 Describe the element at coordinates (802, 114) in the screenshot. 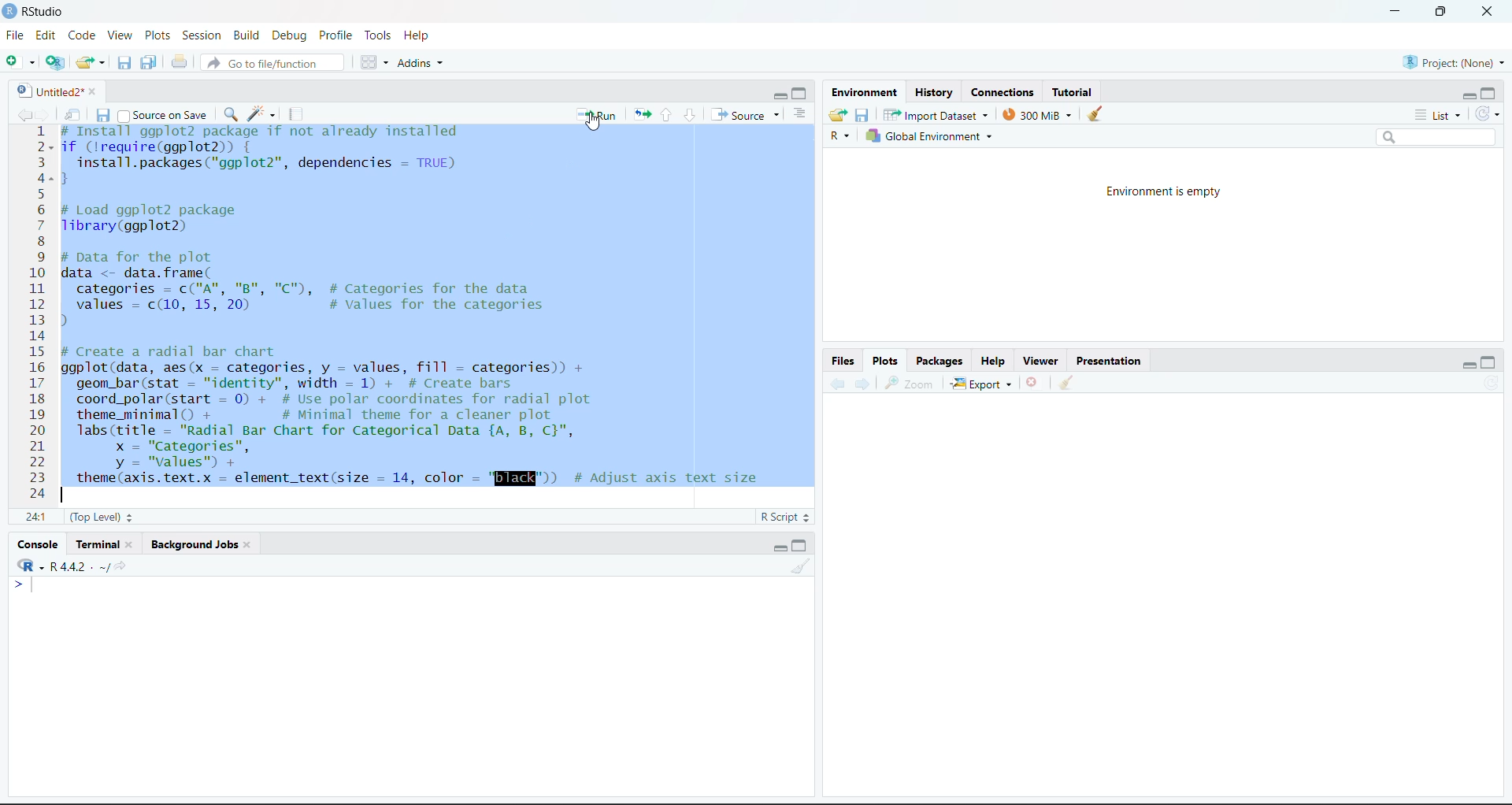

I see `show document outline` at that location.